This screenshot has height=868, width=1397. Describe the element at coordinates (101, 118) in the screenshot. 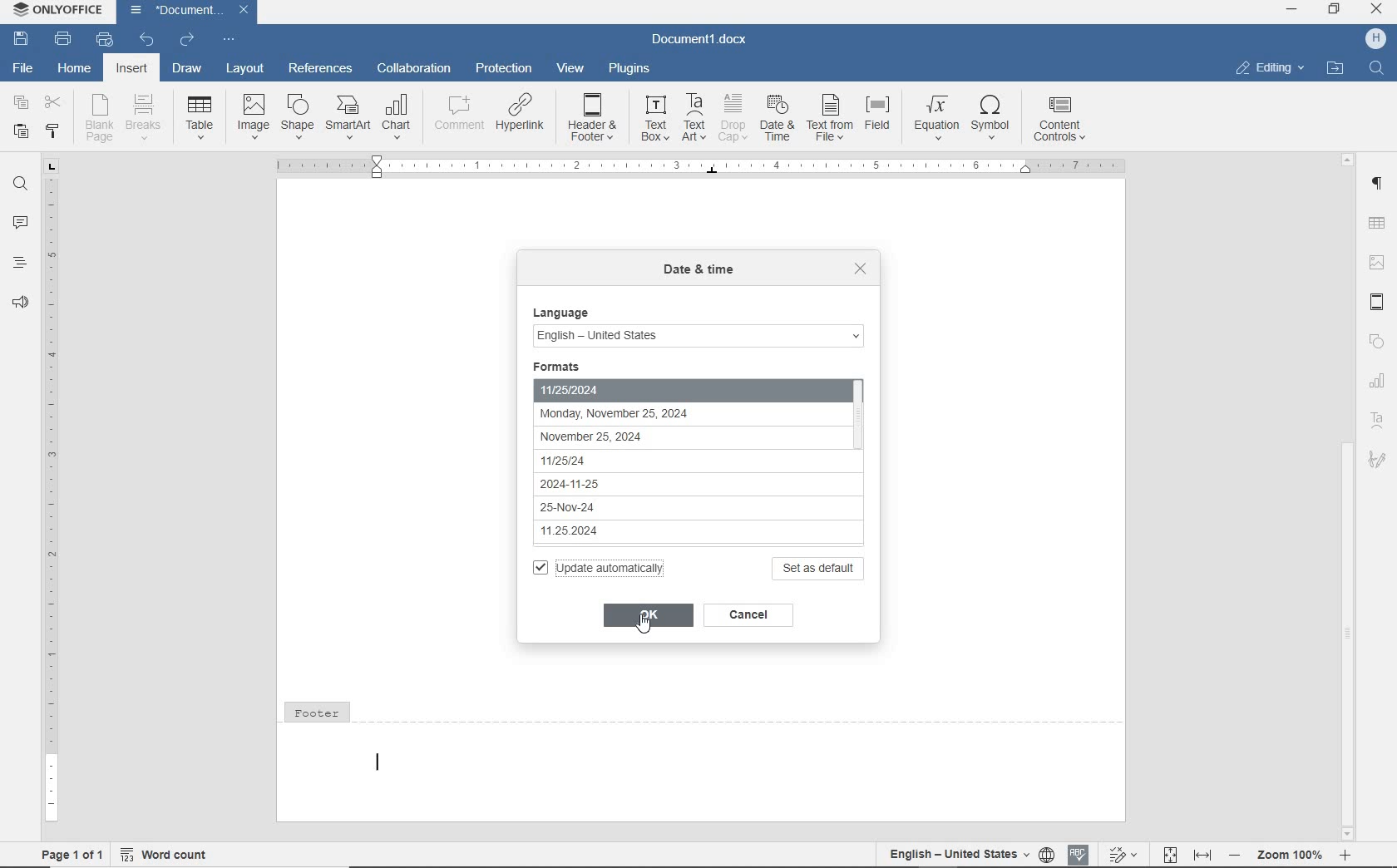

I see `blank page` at that location.